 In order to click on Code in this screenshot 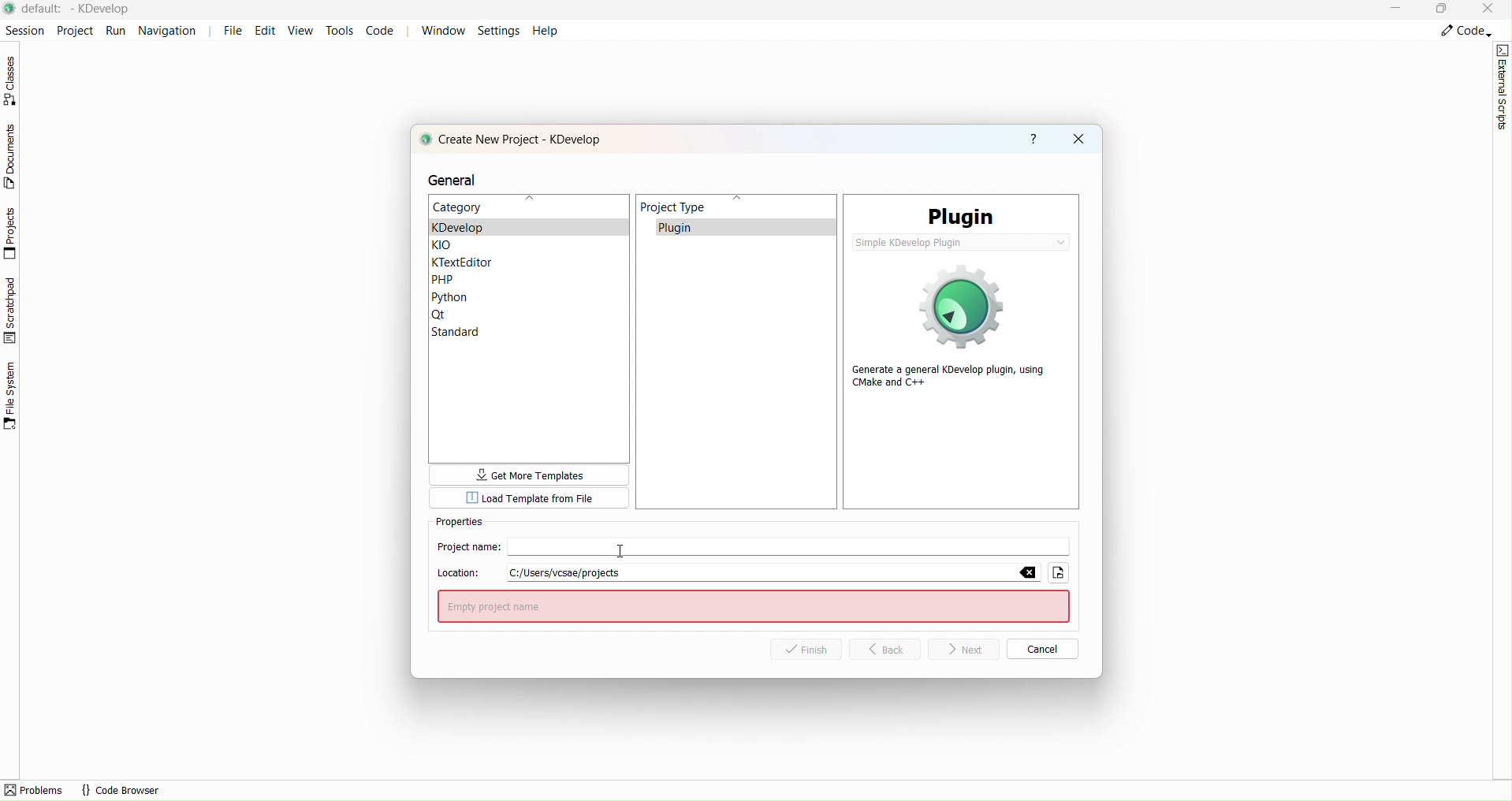, I will do `click(1465, 32)`.